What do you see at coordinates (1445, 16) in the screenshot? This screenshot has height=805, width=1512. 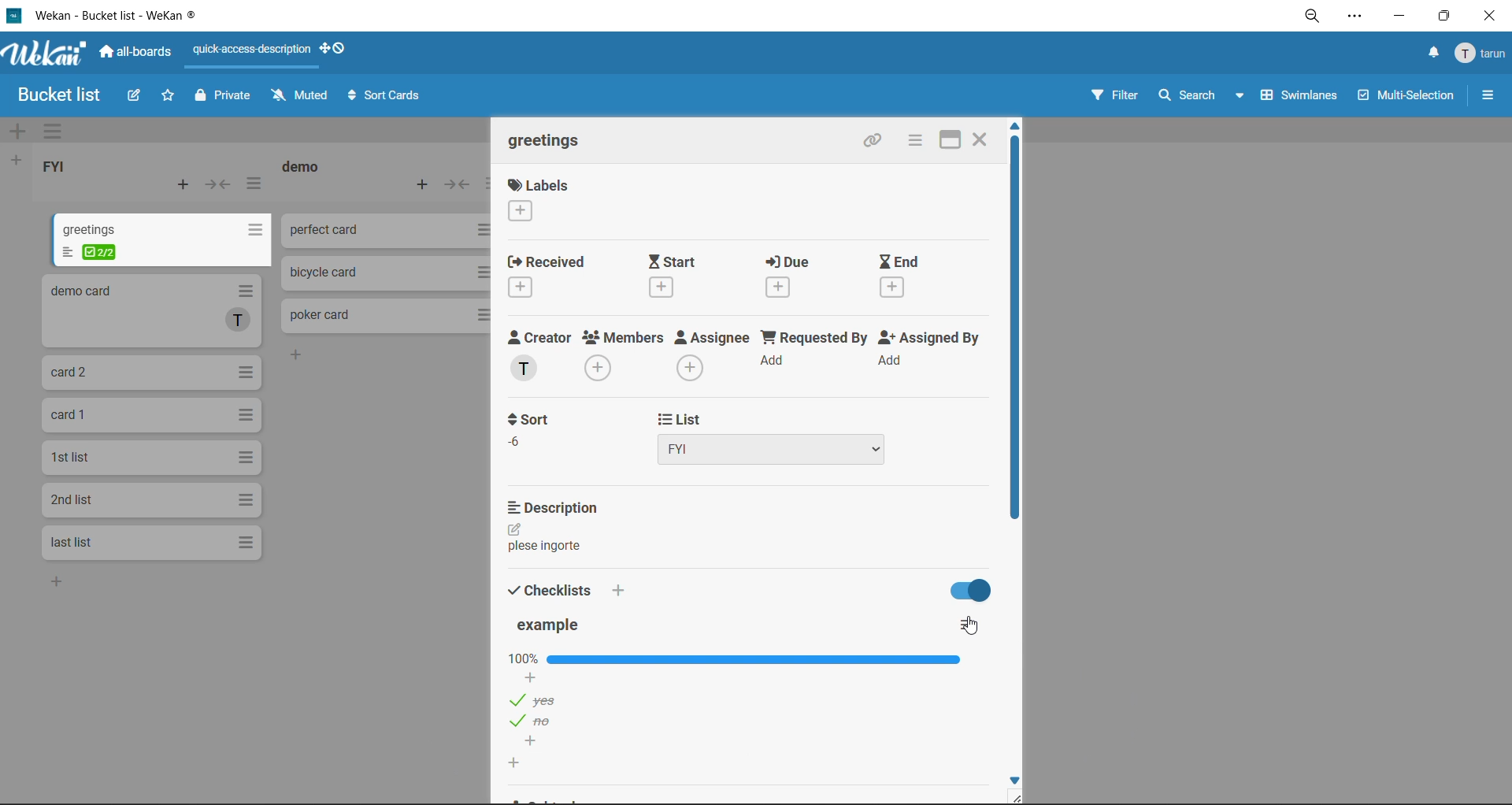 I see `maximize` at bounding box center [1445, 16].